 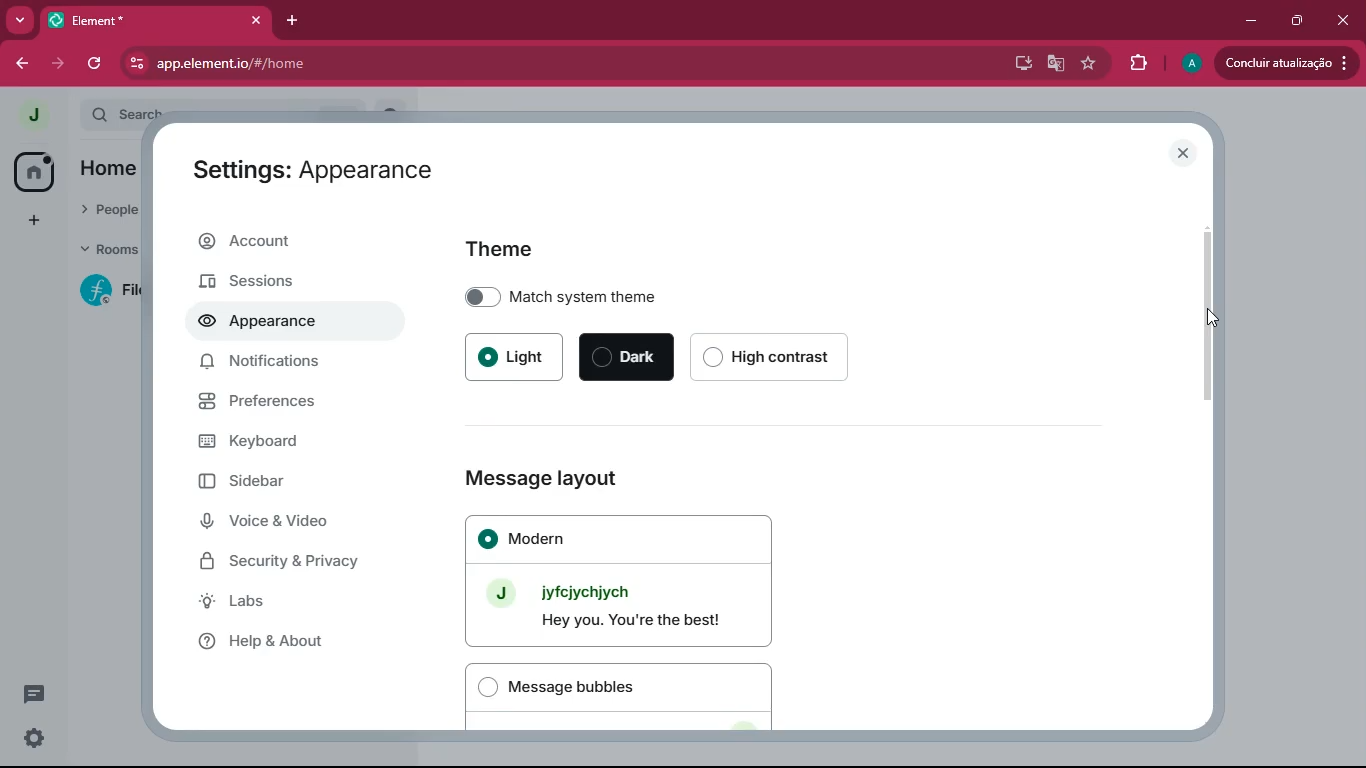 I want to click on appearance, so click(x=265, y=324).